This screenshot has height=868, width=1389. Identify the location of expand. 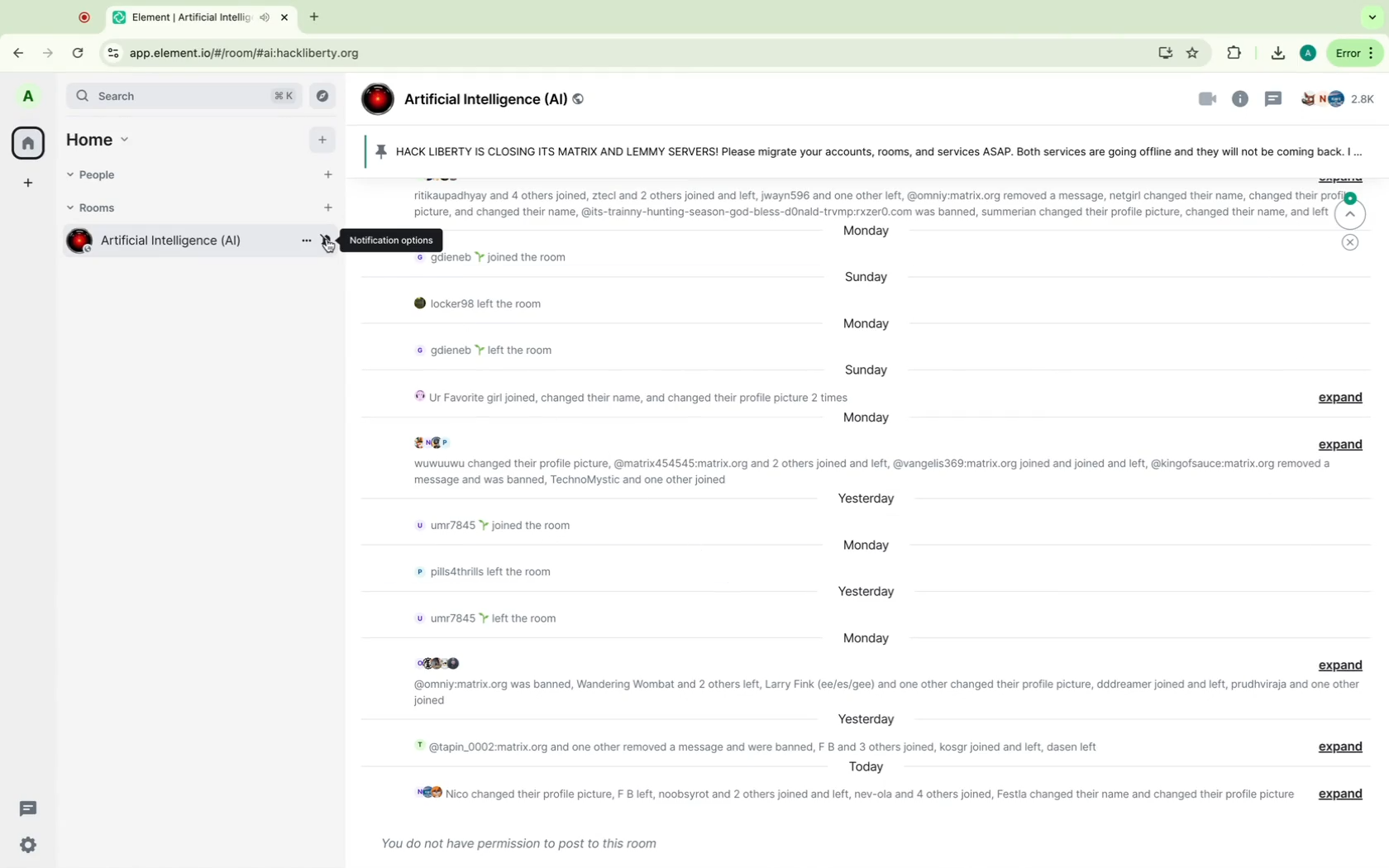
(1336, 397).